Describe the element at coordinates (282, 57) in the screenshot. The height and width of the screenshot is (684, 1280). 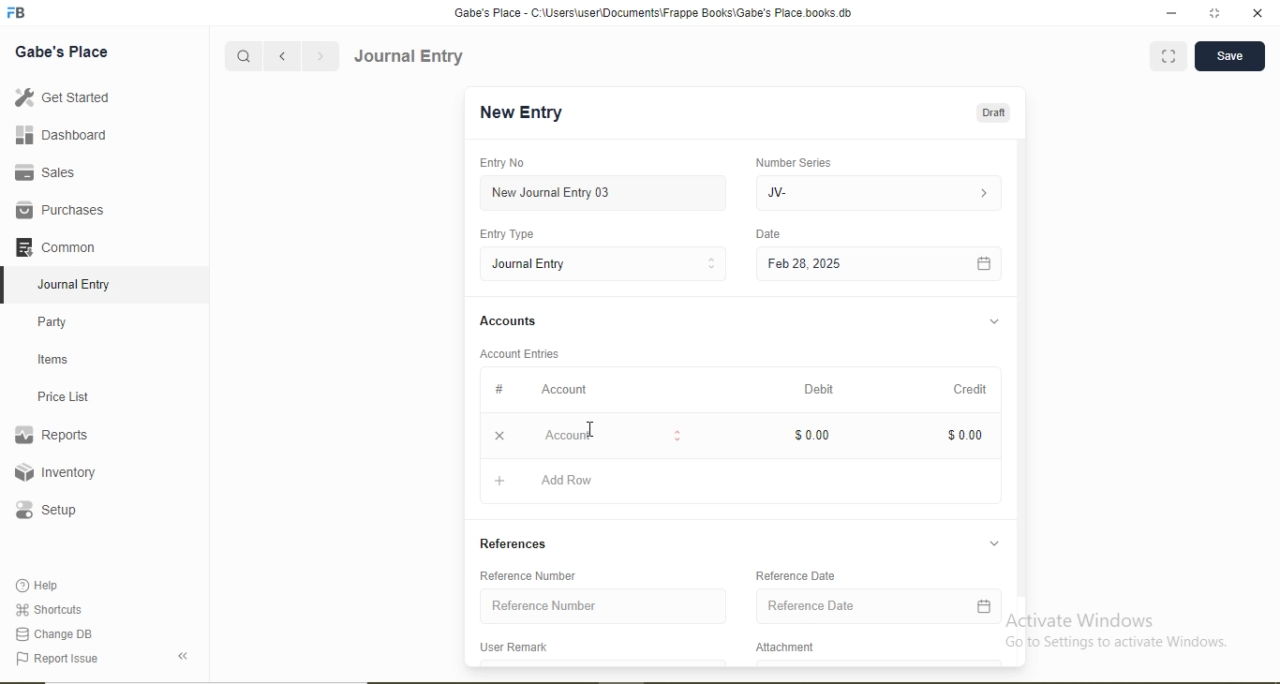
I see `Backward` at that location.